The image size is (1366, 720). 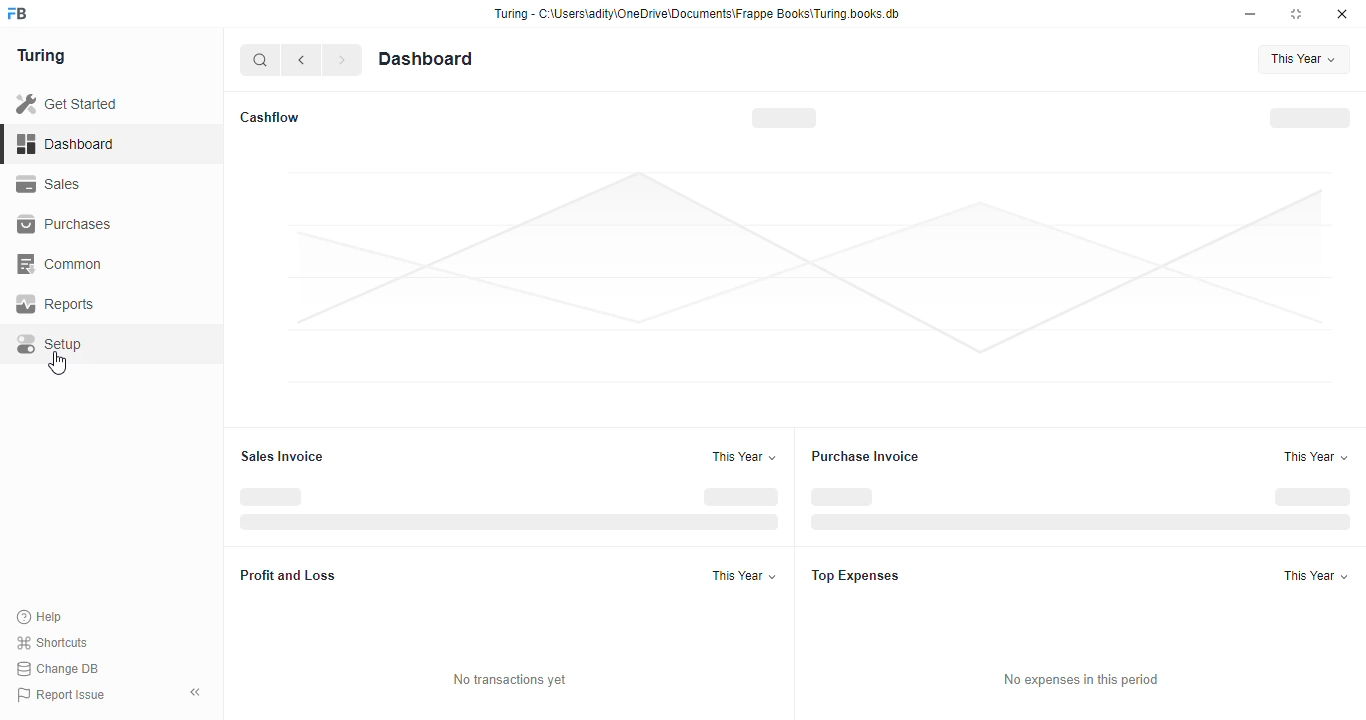 I want to click on Dashboard, so click(x=427, y=59).